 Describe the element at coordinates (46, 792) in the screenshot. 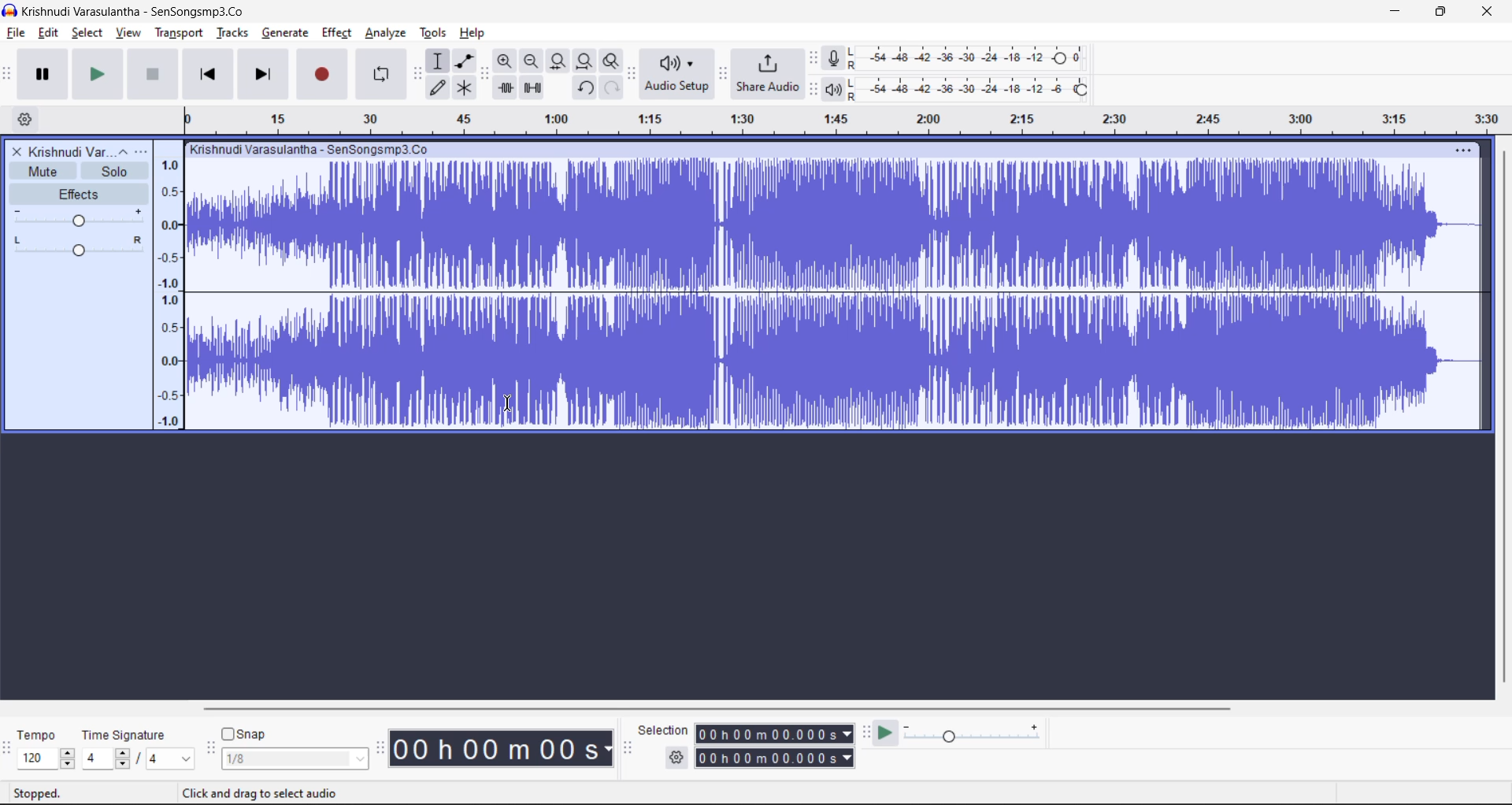

I see `playback status` at that location.